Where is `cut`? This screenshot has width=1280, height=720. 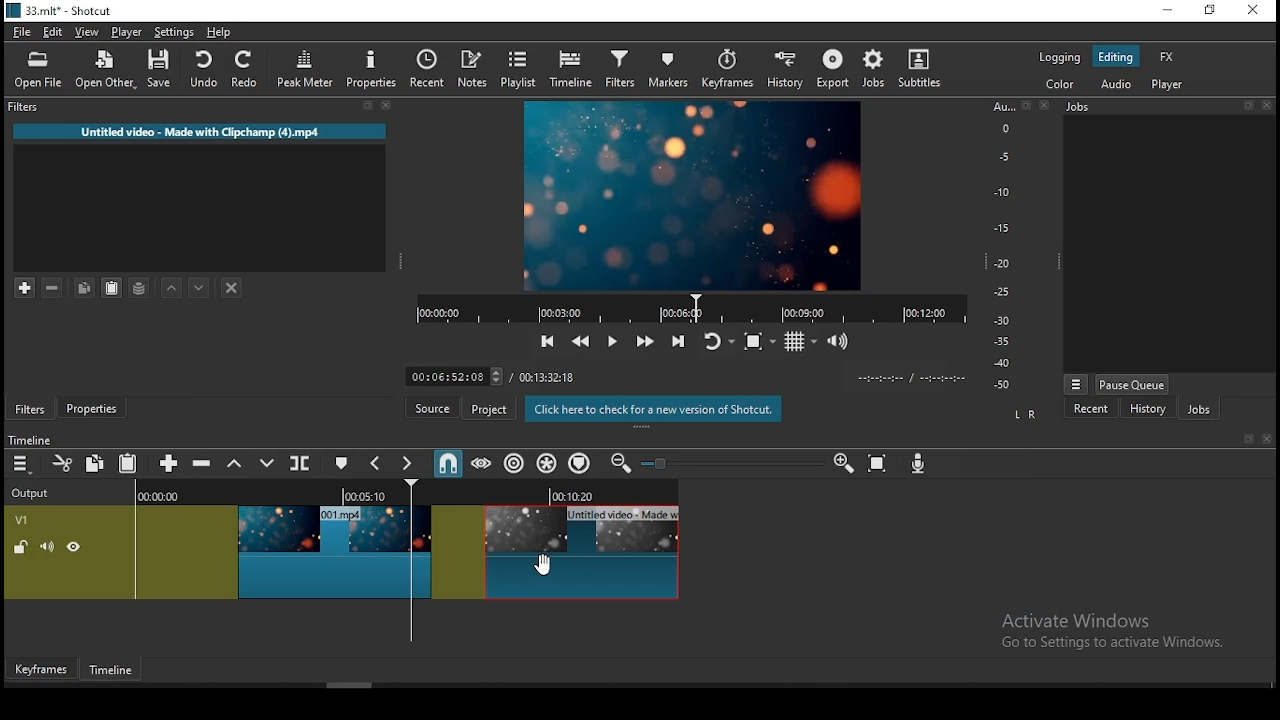
cut is located at coordinates (59, 466).